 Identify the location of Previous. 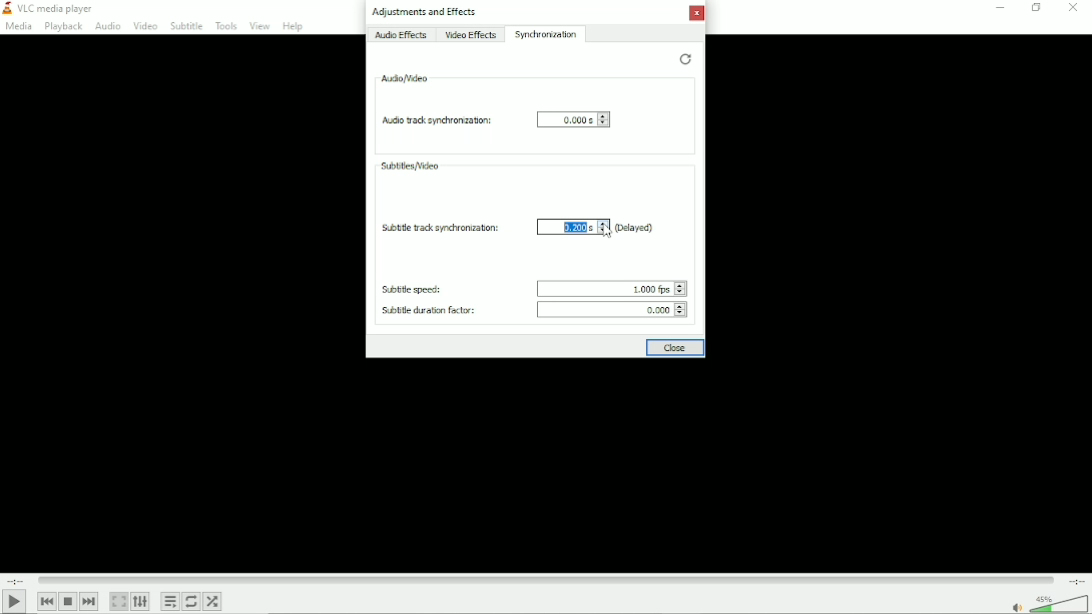
(47, 601).